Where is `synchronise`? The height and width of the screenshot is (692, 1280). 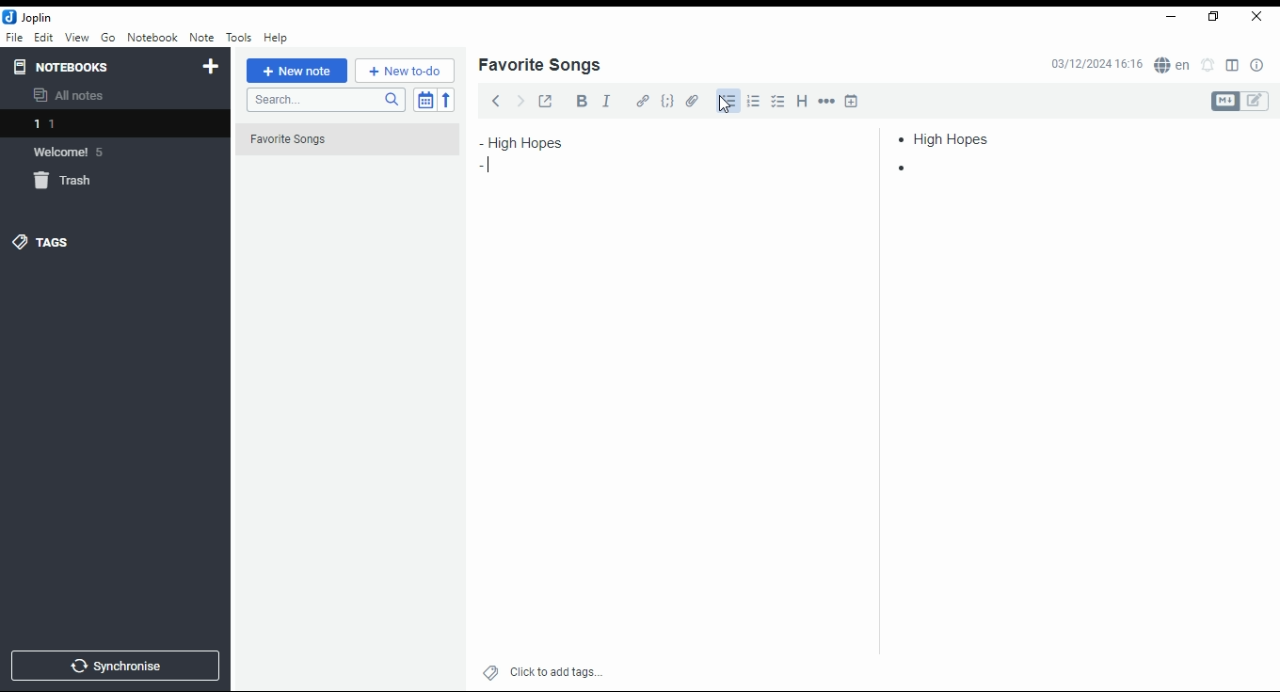 synchronise is located at coordinates (112, 665).